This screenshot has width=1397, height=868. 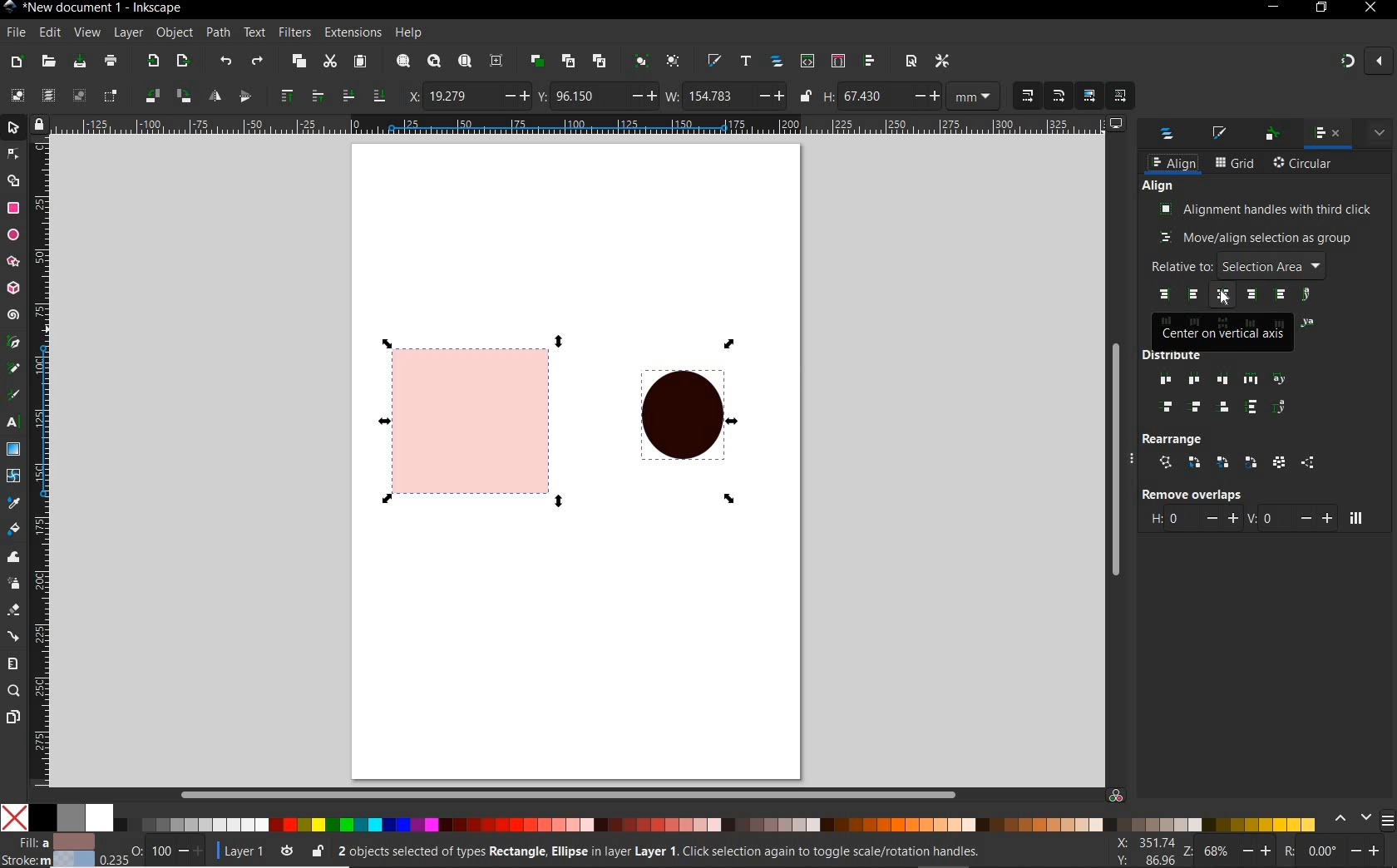 What do you see at coordinates (1163, 294) in the screenshot?
I see `ALIGN RIGHT EDGES OF OBJECTS TO THE LEFT EDGE OF ANCHOR` at bounding box center [1163, 294].